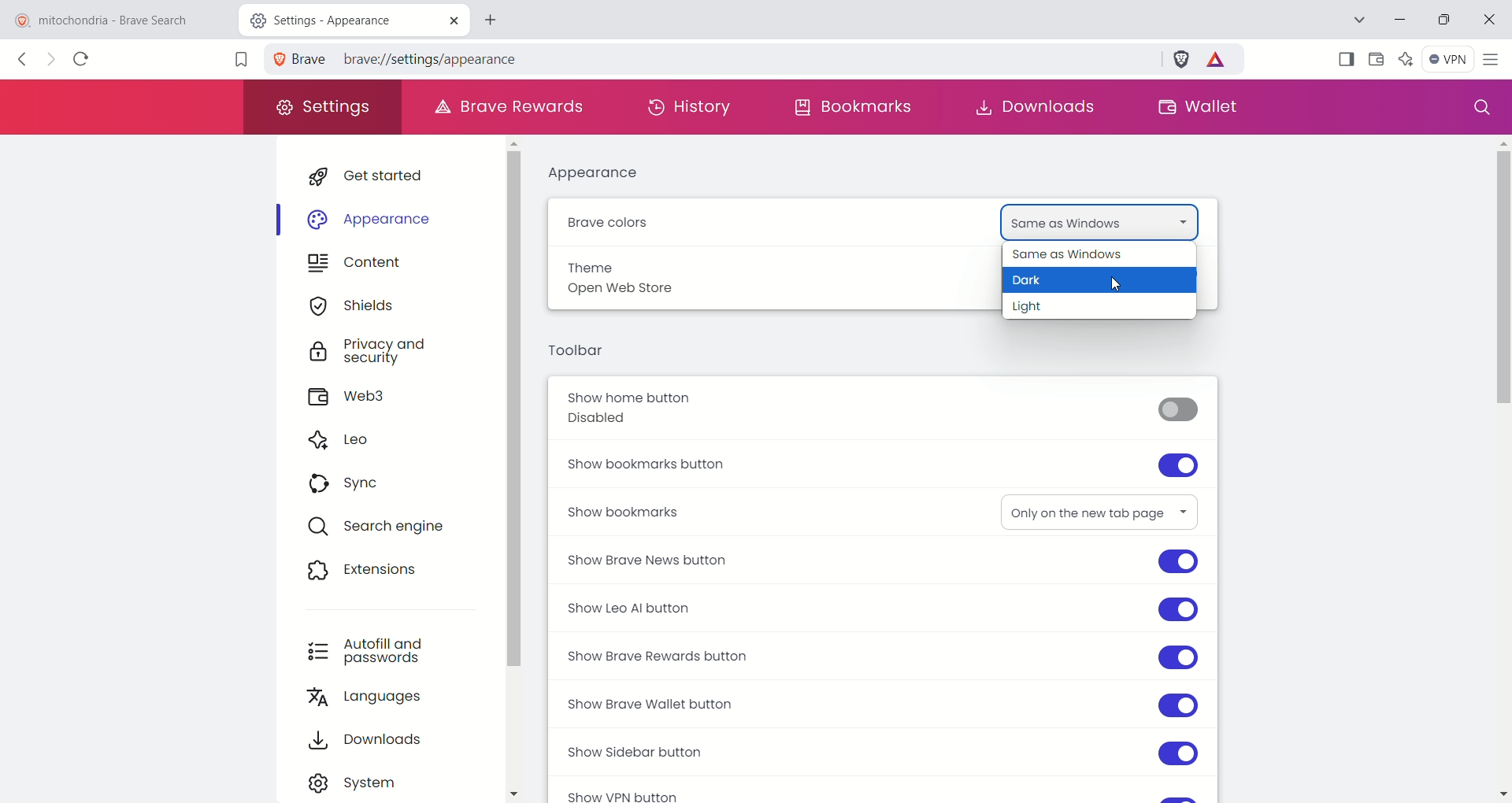  What do you see at coordinates (348, 439) in the screenshot?
I see `leo` at bounding box center [348, 439].